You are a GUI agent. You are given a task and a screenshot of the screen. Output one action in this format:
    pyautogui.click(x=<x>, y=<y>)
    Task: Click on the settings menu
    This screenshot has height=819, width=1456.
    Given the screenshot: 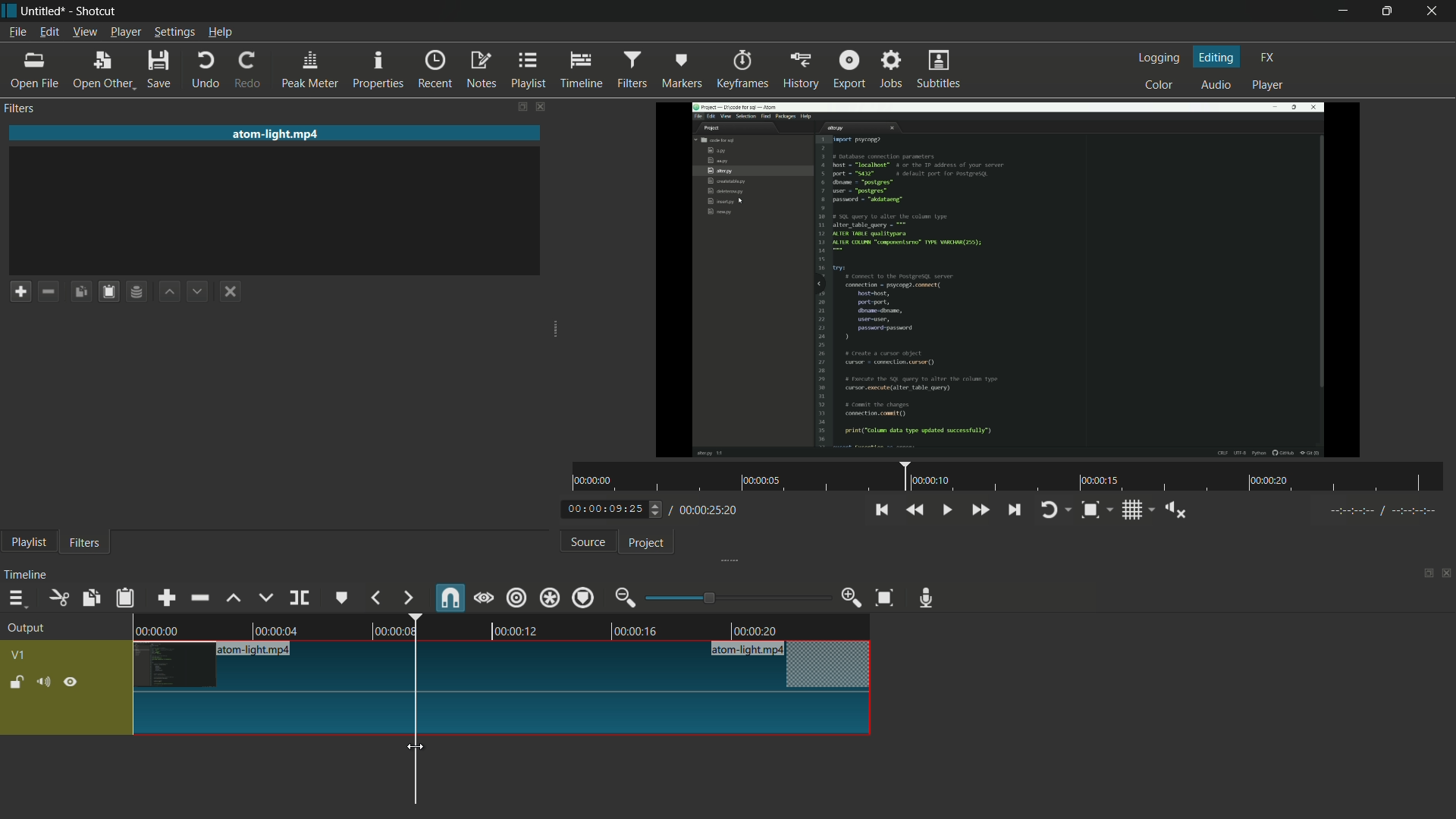 What is the action you would take?
    pyautogui.click(x=174, y=33)
    